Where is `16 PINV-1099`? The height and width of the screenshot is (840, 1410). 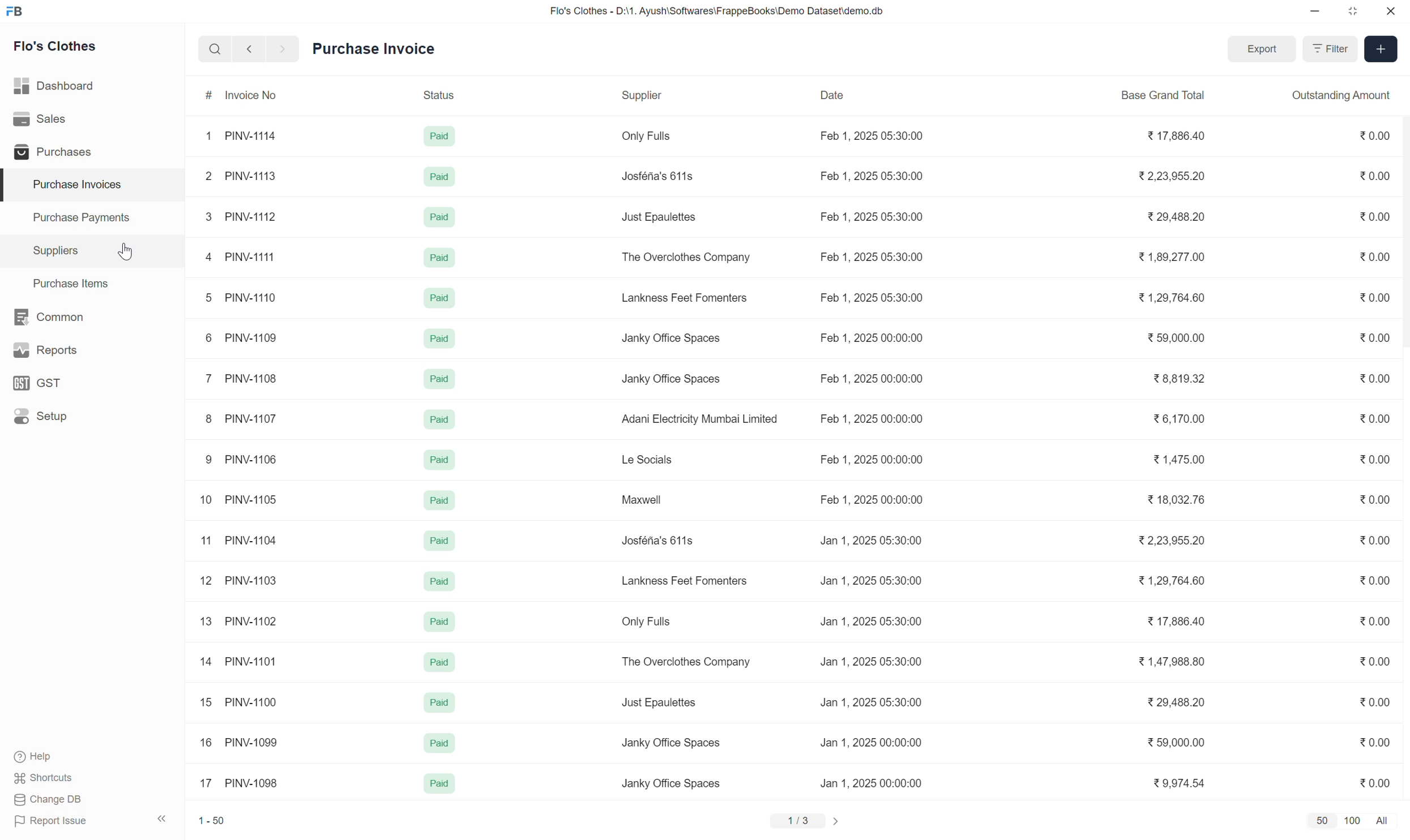 16 PINV-1099 is located at coordinates (240, 742).